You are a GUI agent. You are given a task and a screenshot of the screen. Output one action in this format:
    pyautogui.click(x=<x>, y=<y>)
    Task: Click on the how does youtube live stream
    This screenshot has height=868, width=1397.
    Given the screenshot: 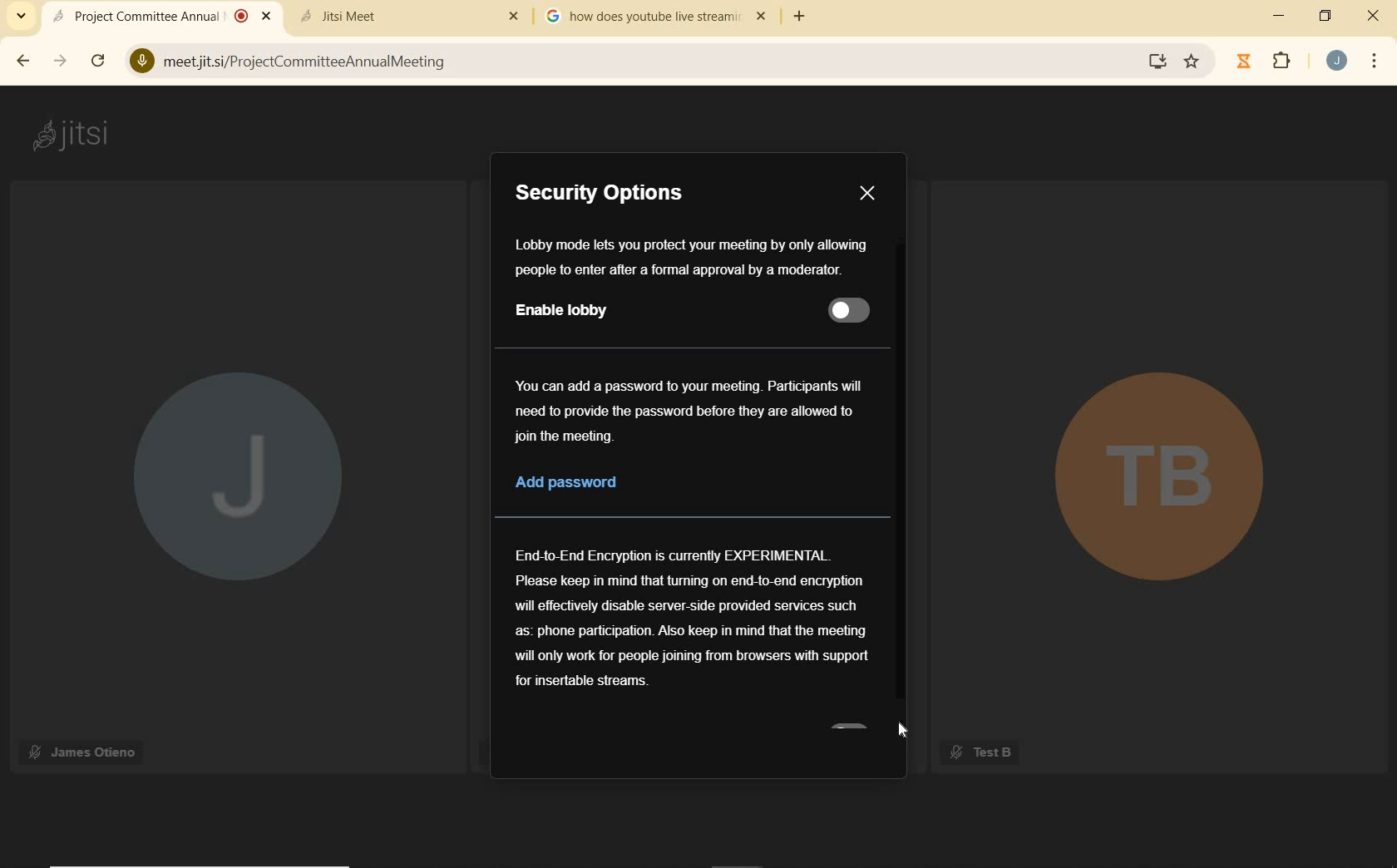 What is the action you would take?
    pyautogui.click(x=659, y=17)
    